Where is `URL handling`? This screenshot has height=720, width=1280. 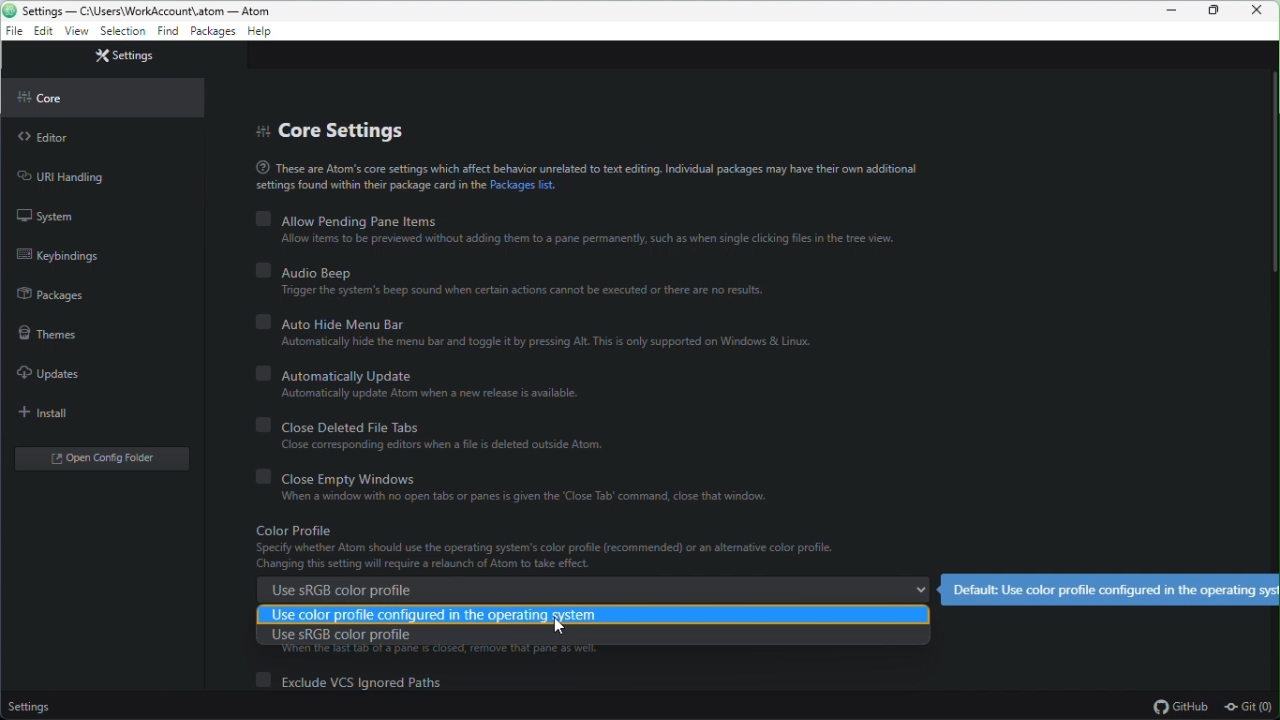
URL handling is located at coordinates (72, 177).